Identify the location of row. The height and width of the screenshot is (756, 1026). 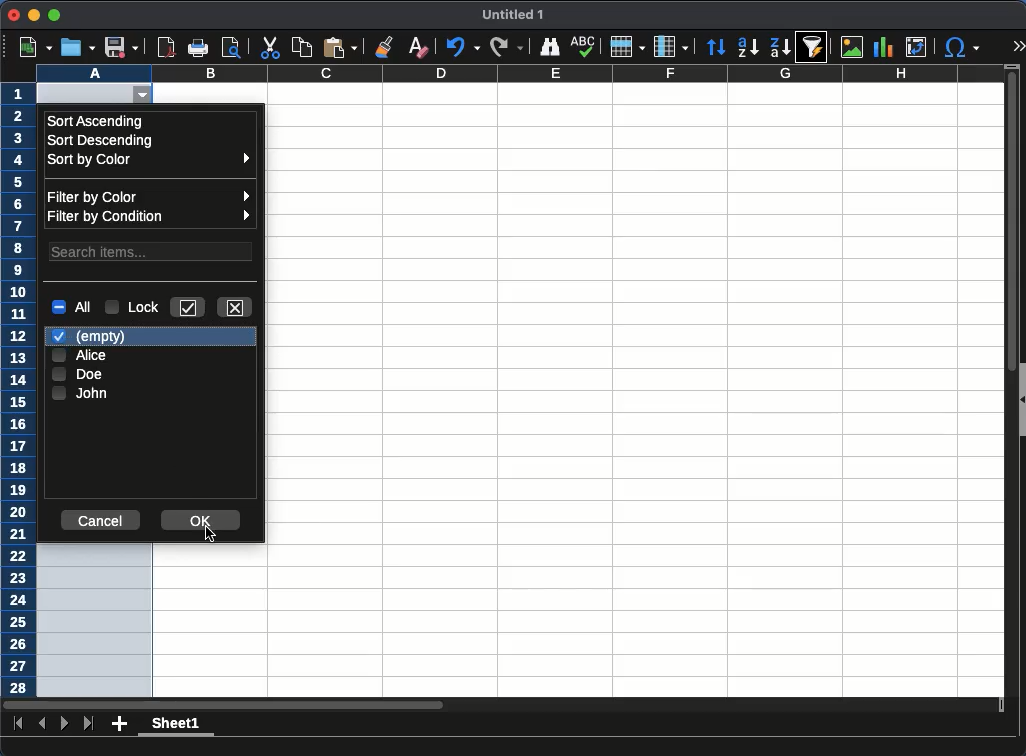
(626, 46).